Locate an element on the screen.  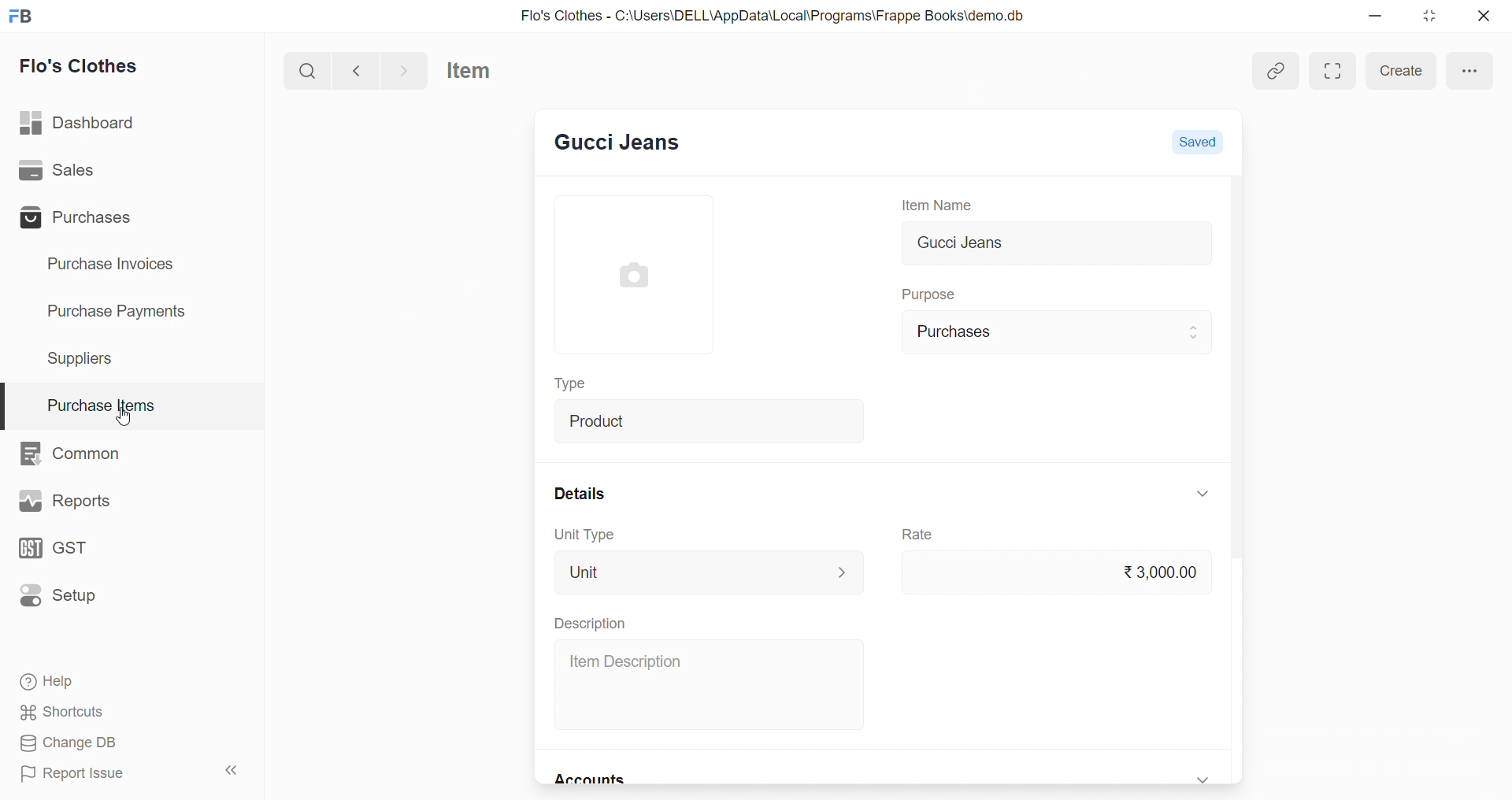
maximize window is located at coordinates (1333, 71).